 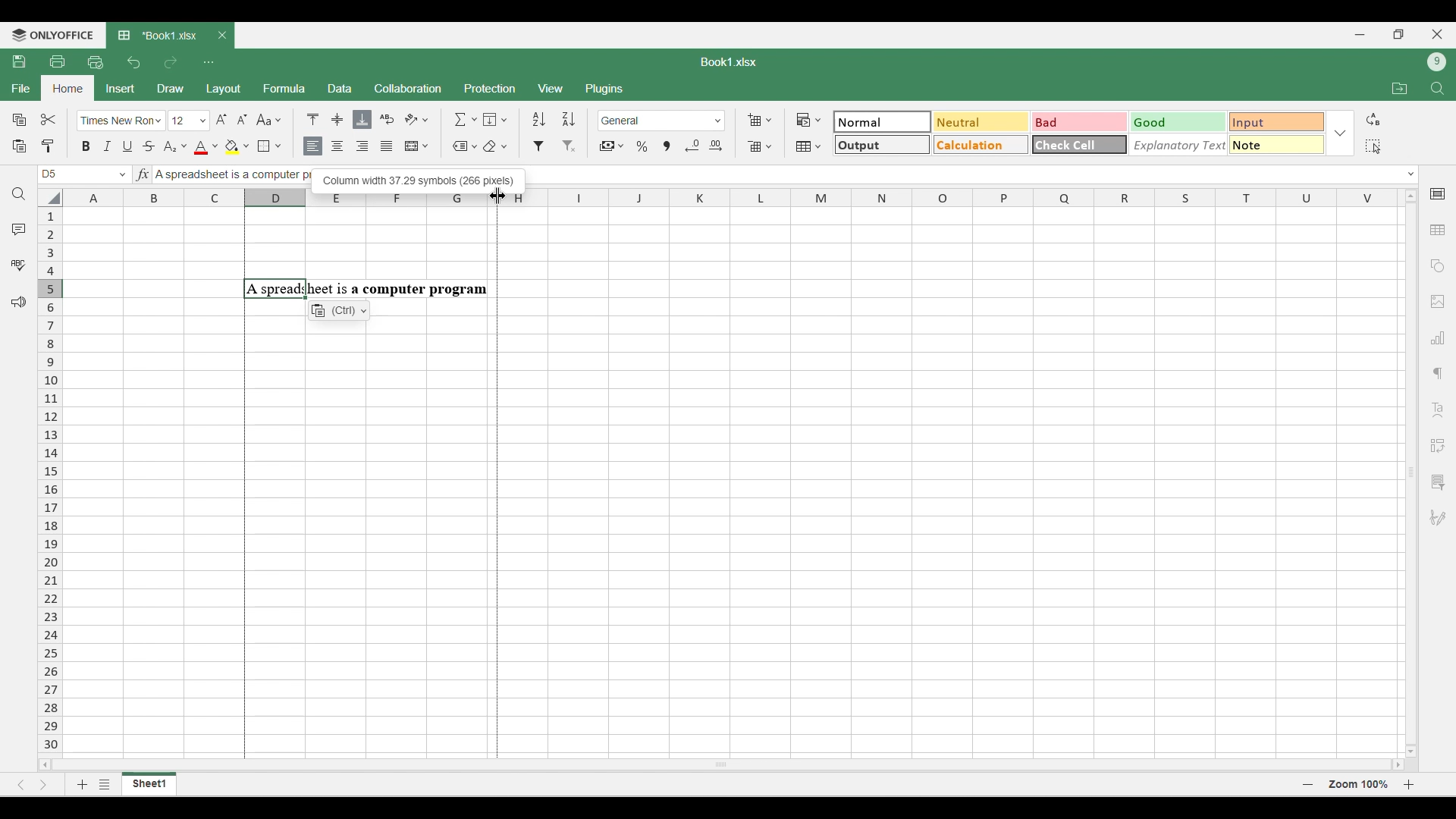 I want to click on Minimize, so click(x=1360, y=35).